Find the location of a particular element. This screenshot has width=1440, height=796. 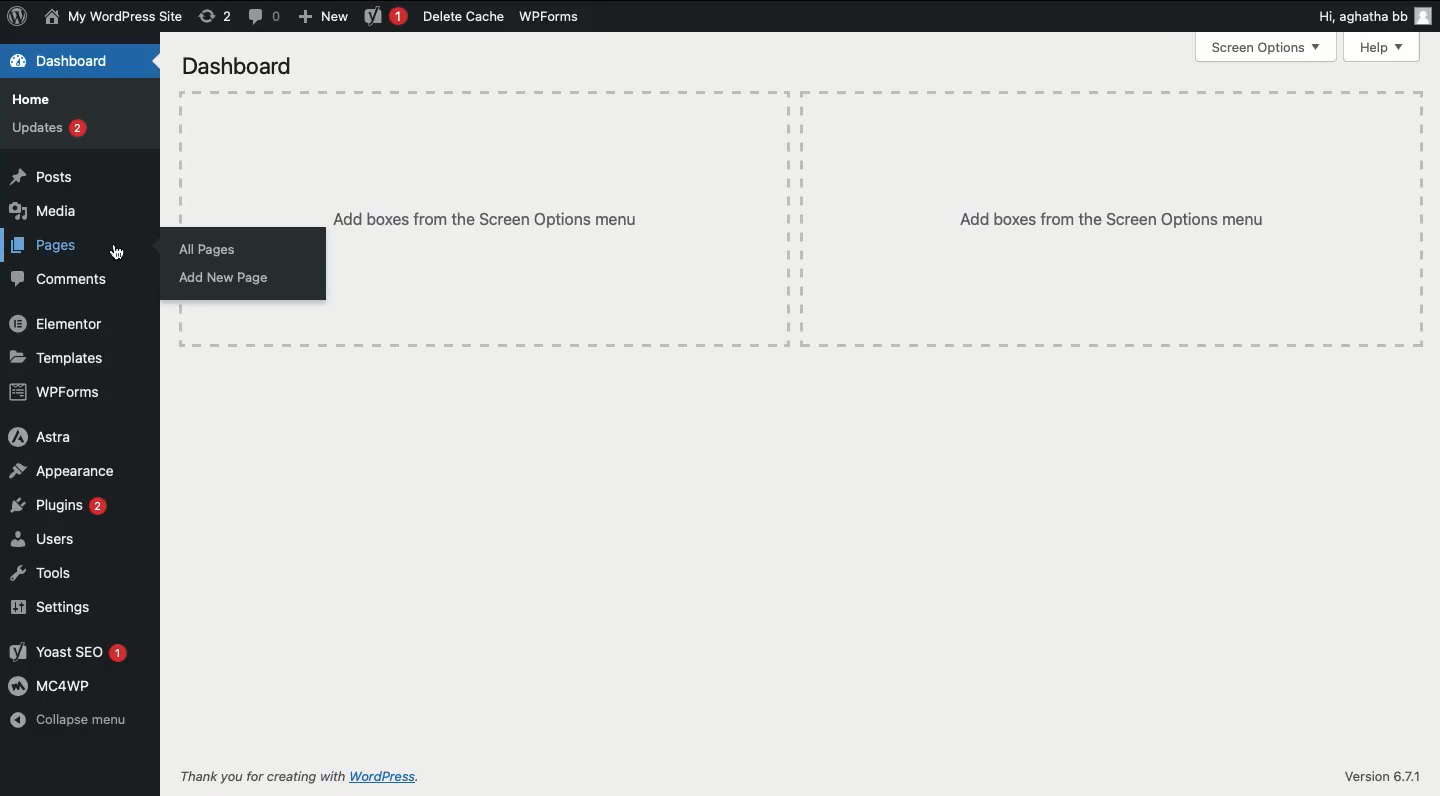

New is located at coordinates (325, 18).